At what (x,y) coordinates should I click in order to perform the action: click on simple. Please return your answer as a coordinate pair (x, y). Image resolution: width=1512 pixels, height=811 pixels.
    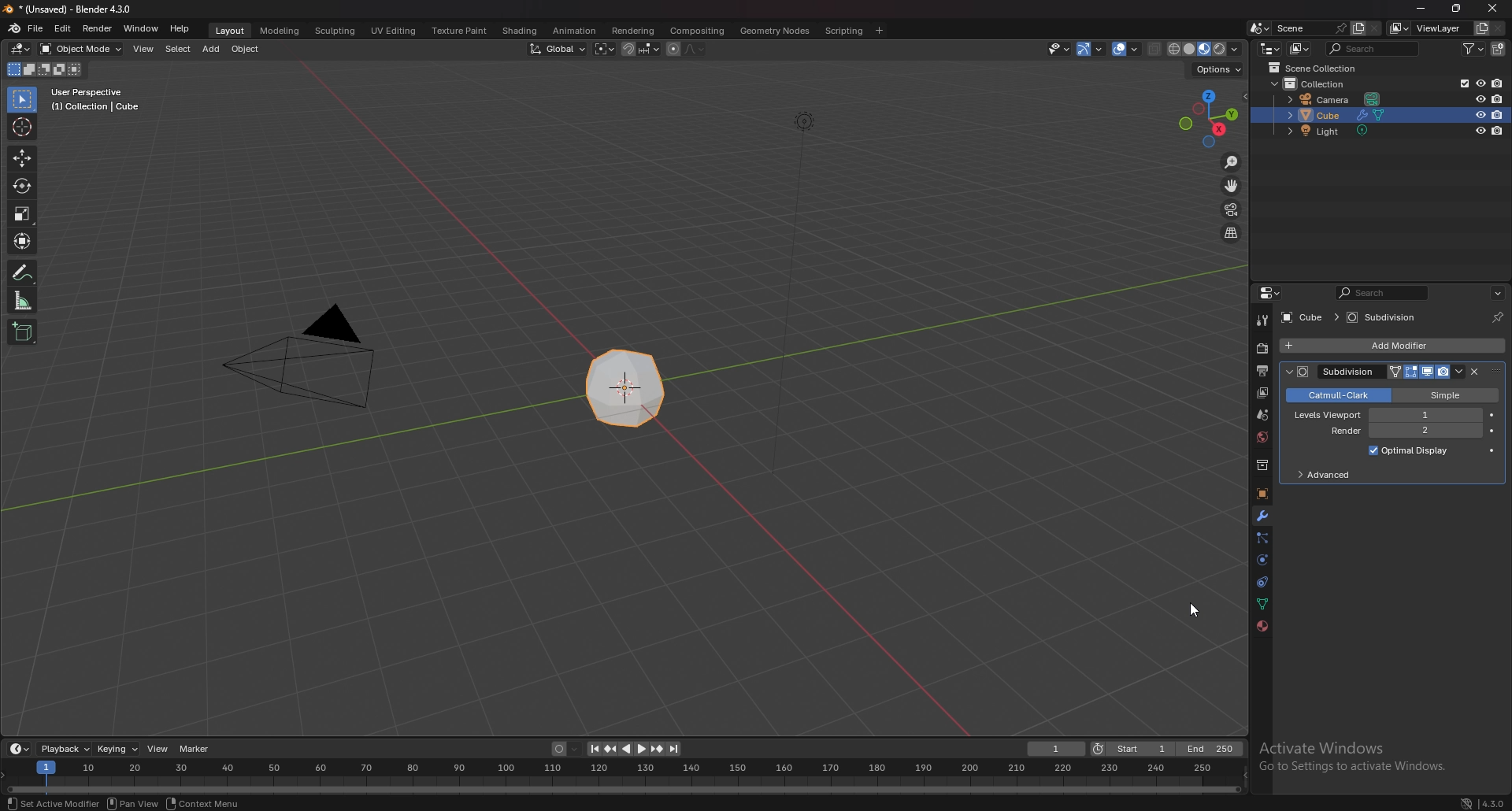
    Looking at the image, I should click on (1443, 394).